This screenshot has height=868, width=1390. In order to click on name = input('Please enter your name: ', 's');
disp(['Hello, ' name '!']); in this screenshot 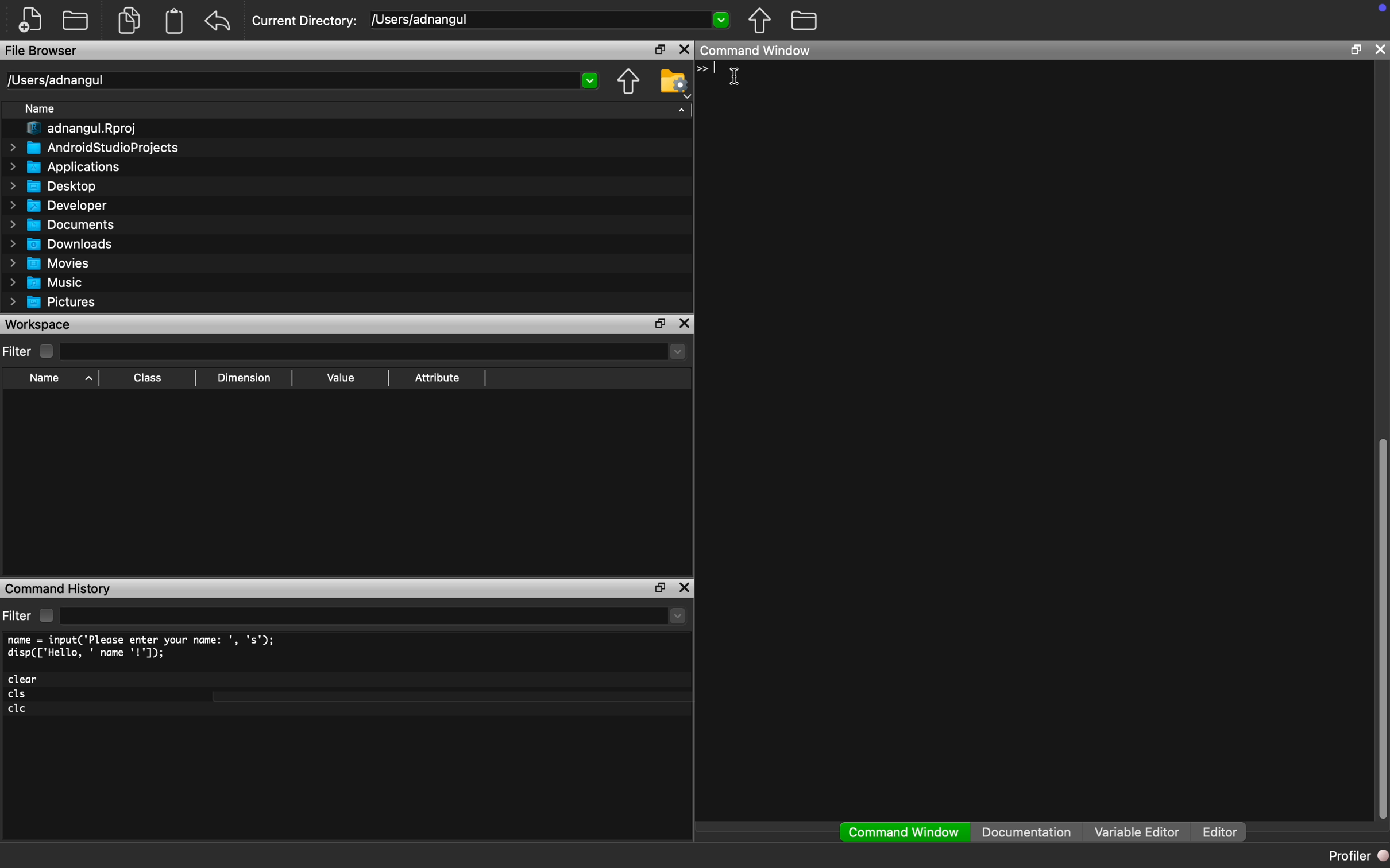, I will do `click(144, 647)`.